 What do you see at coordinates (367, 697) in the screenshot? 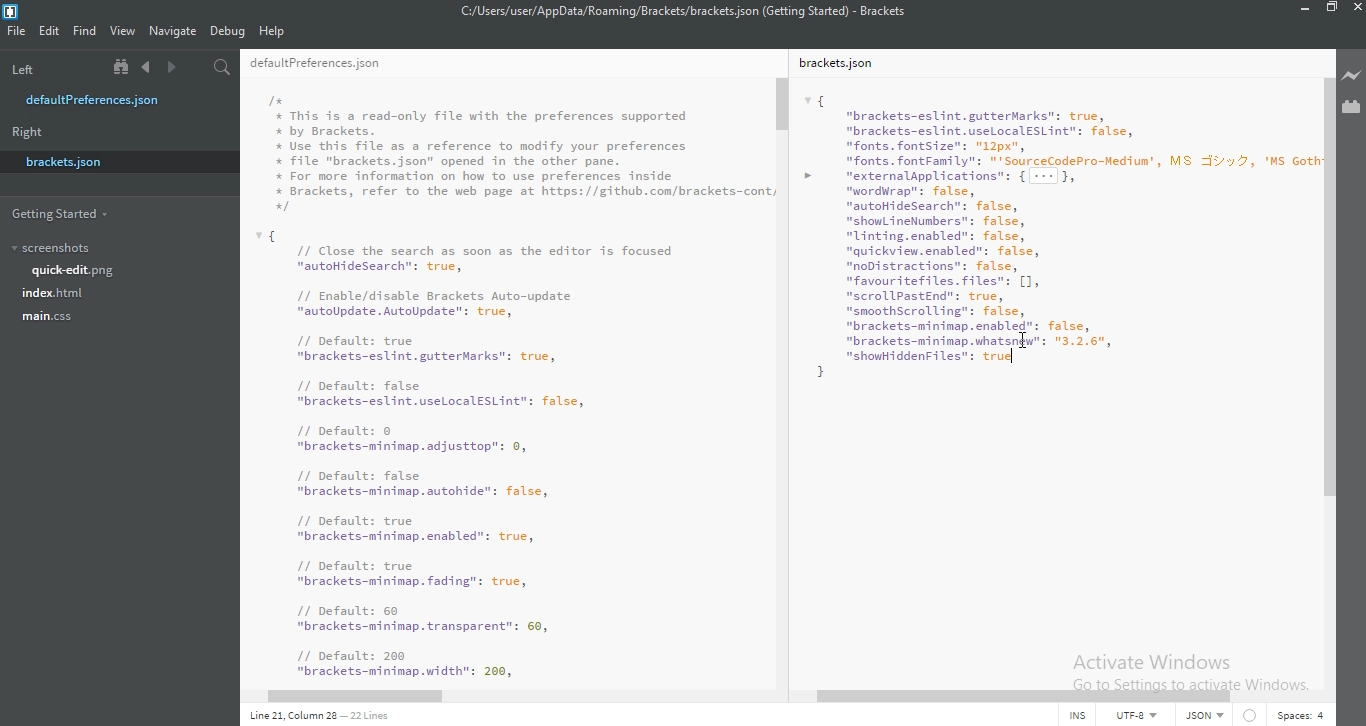
I see `scroll bar` at bounding box center [367, 697].